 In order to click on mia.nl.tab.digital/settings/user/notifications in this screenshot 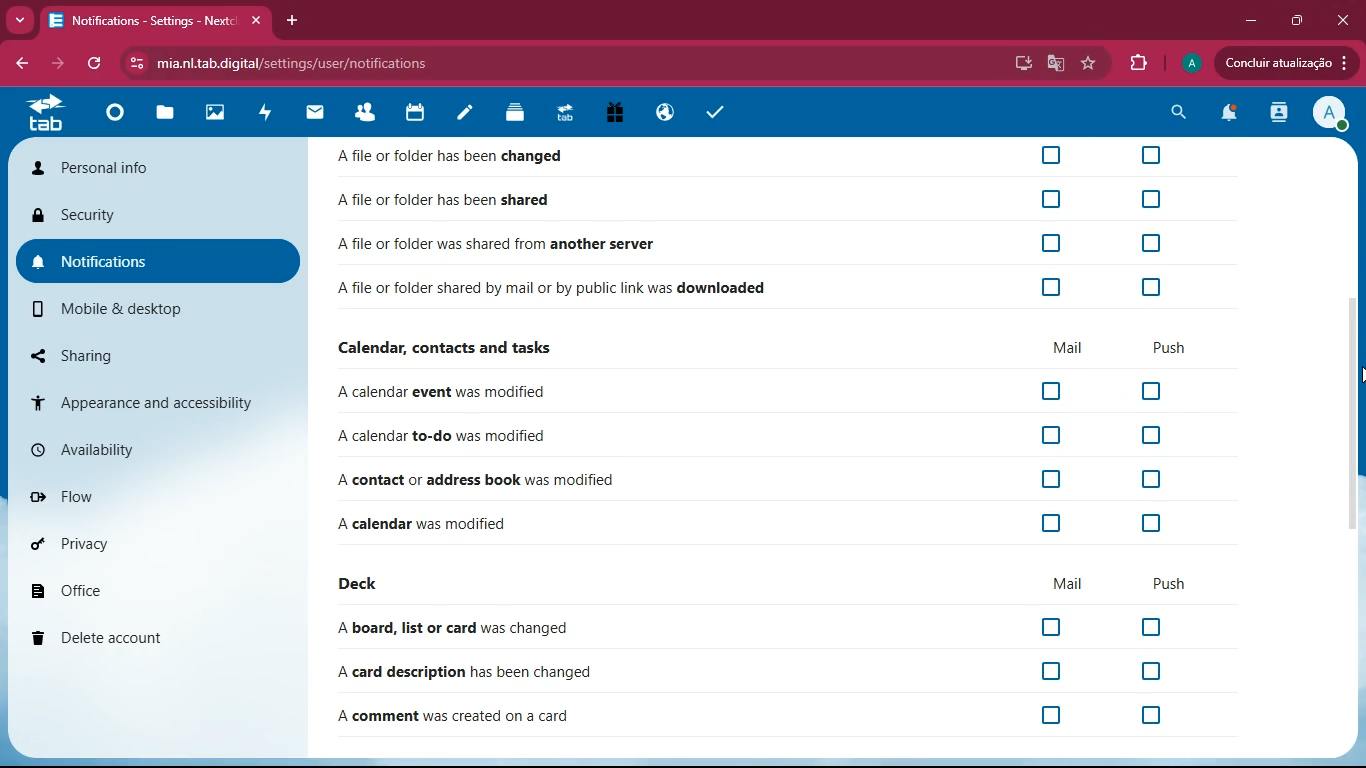, I will do `click(295, 66)`.